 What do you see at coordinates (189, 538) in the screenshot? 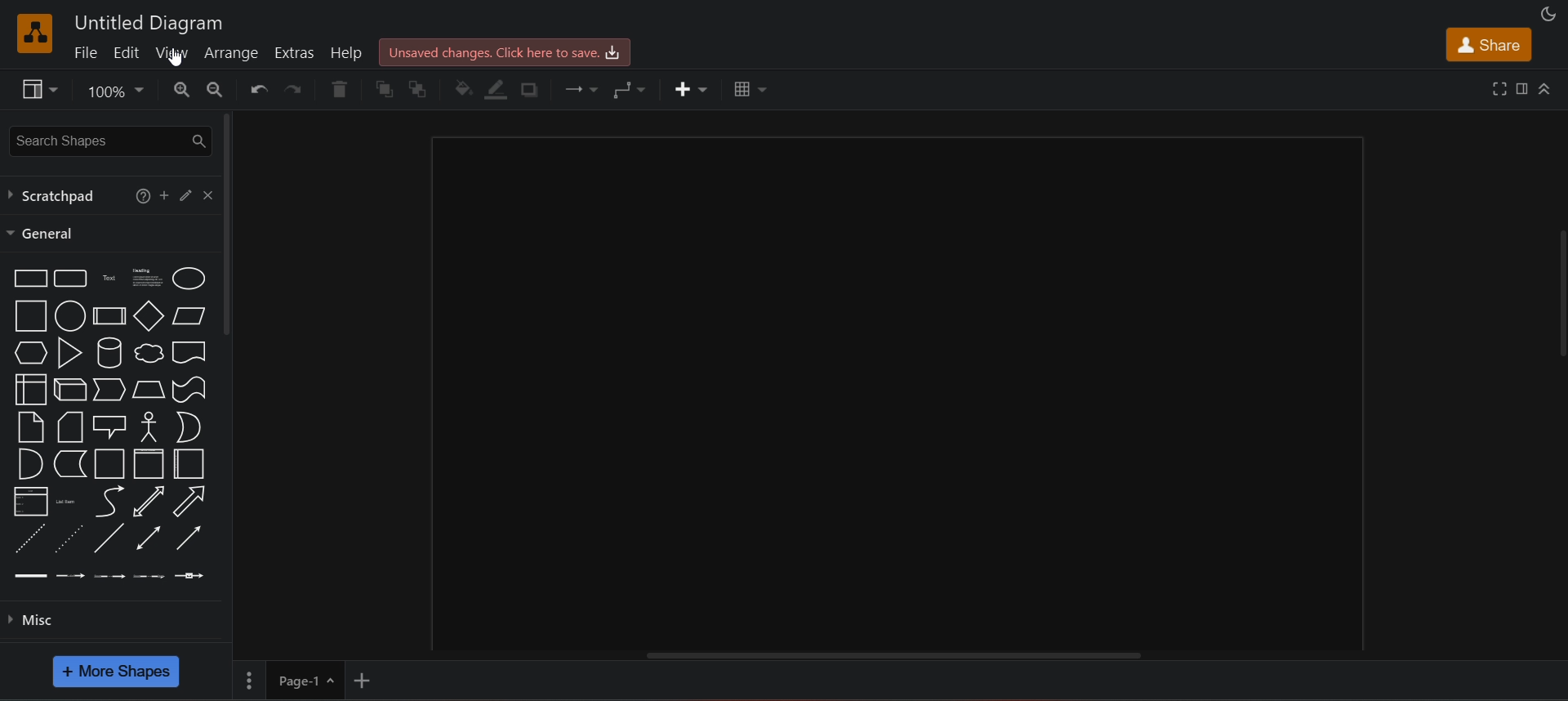
I see `directional connector` at bounding box center [189, 538].